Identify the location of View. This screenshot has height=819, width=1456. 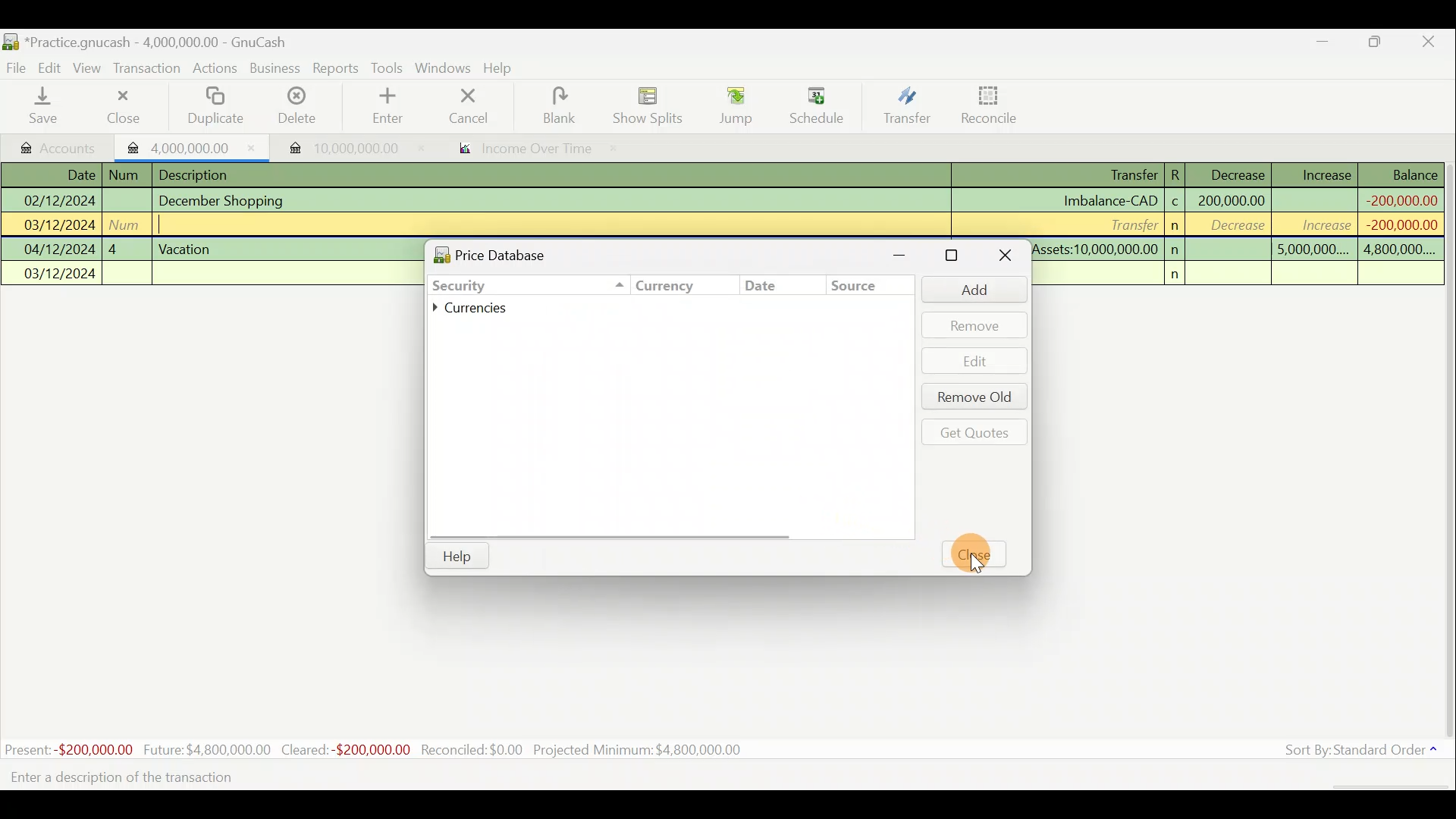
(92, 67).